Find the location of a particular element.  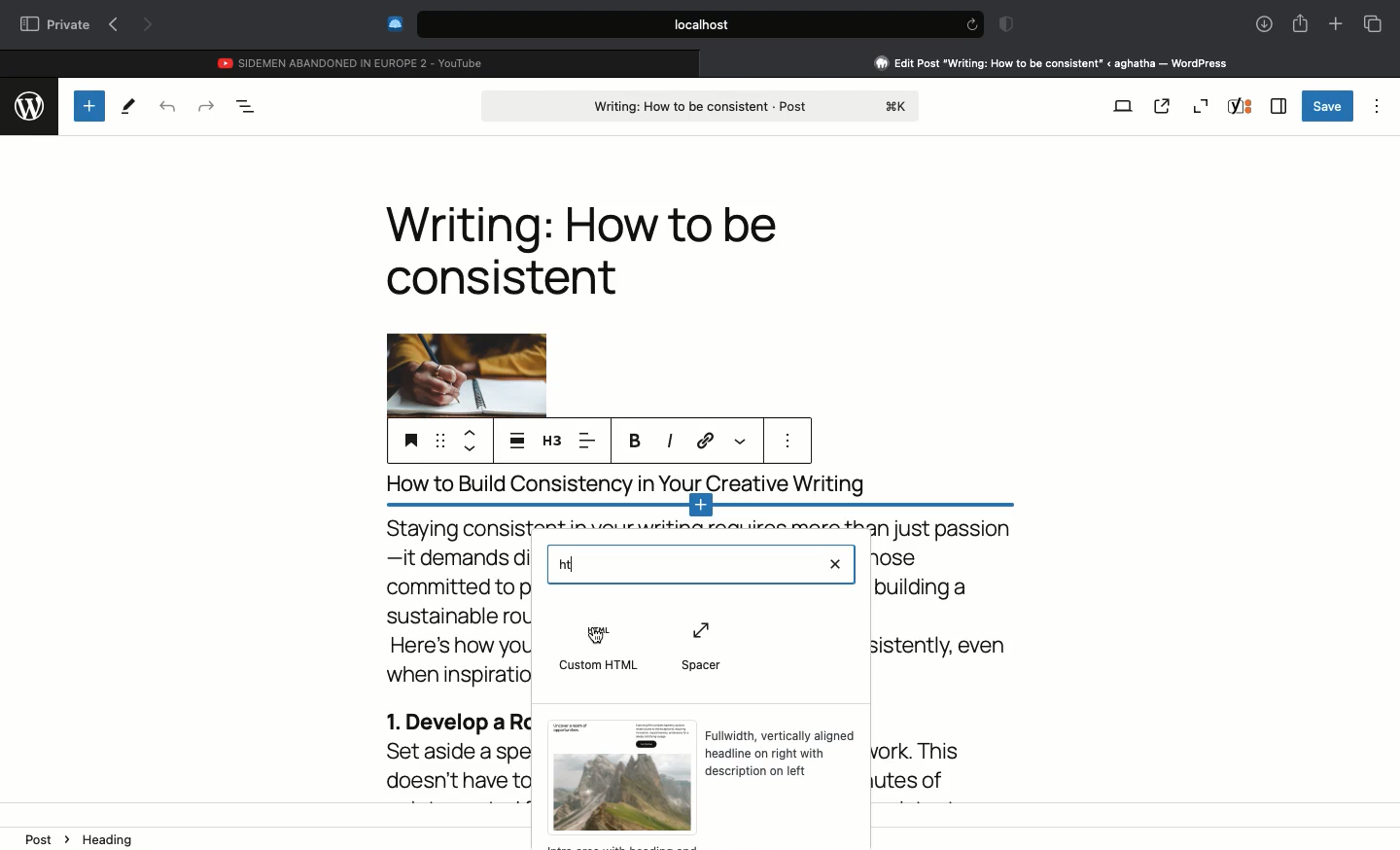

Search bar is located at coordinates (682, 24).